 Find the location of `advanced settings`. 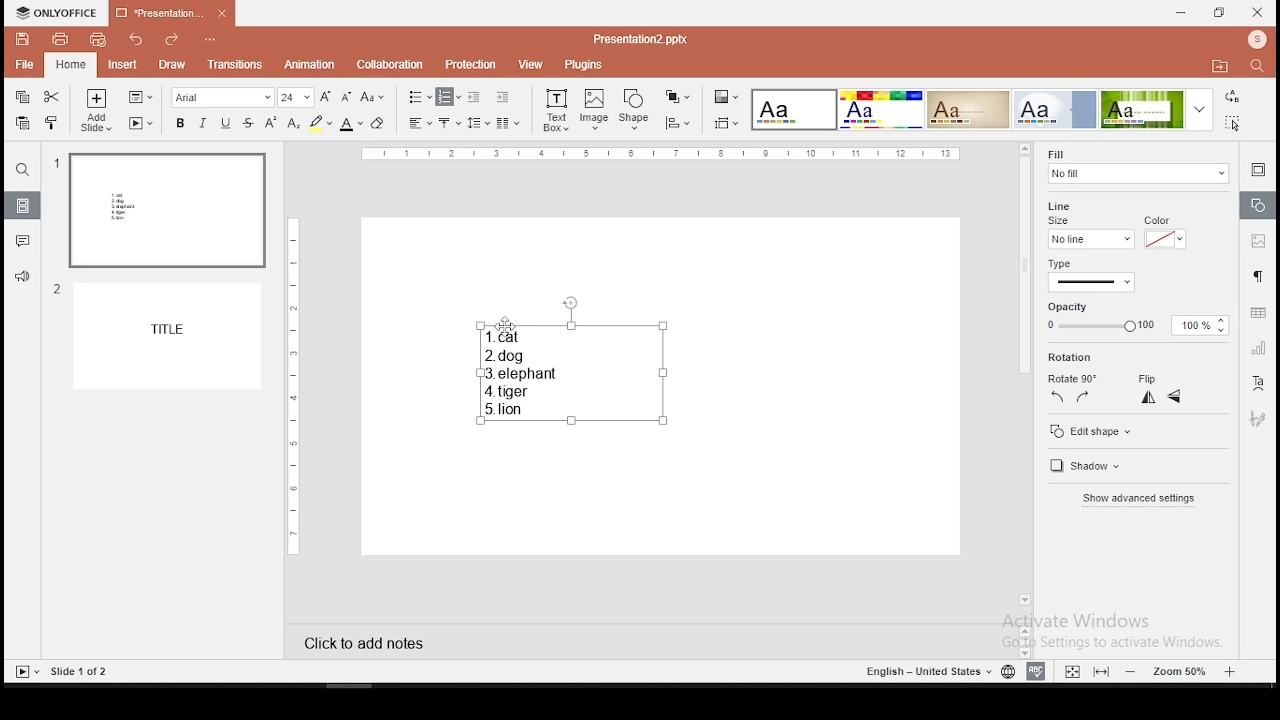

advanced settings is located at coordinates (1144, 499).